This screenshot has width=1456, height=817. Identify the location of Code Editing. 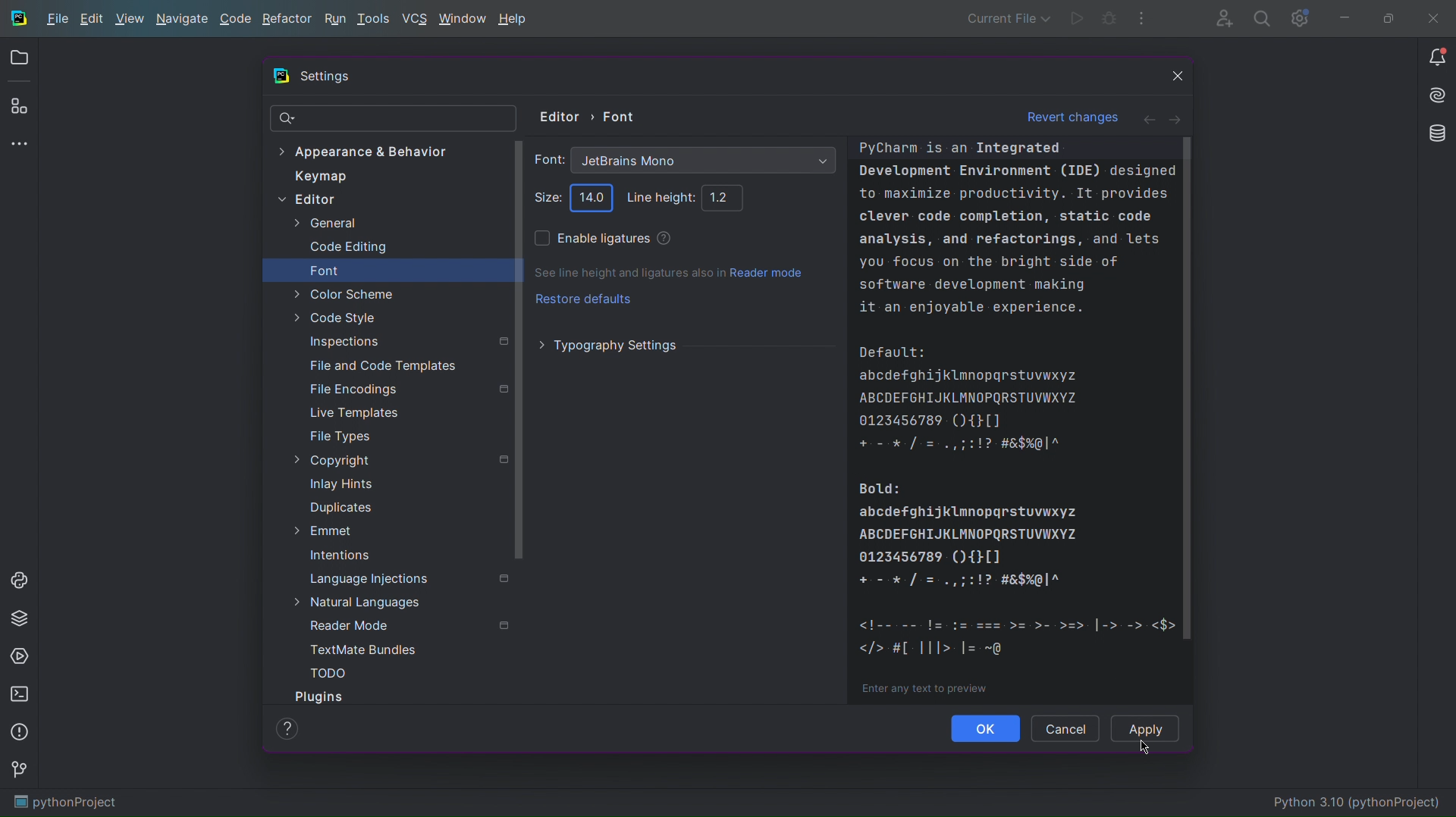
(348, 248).